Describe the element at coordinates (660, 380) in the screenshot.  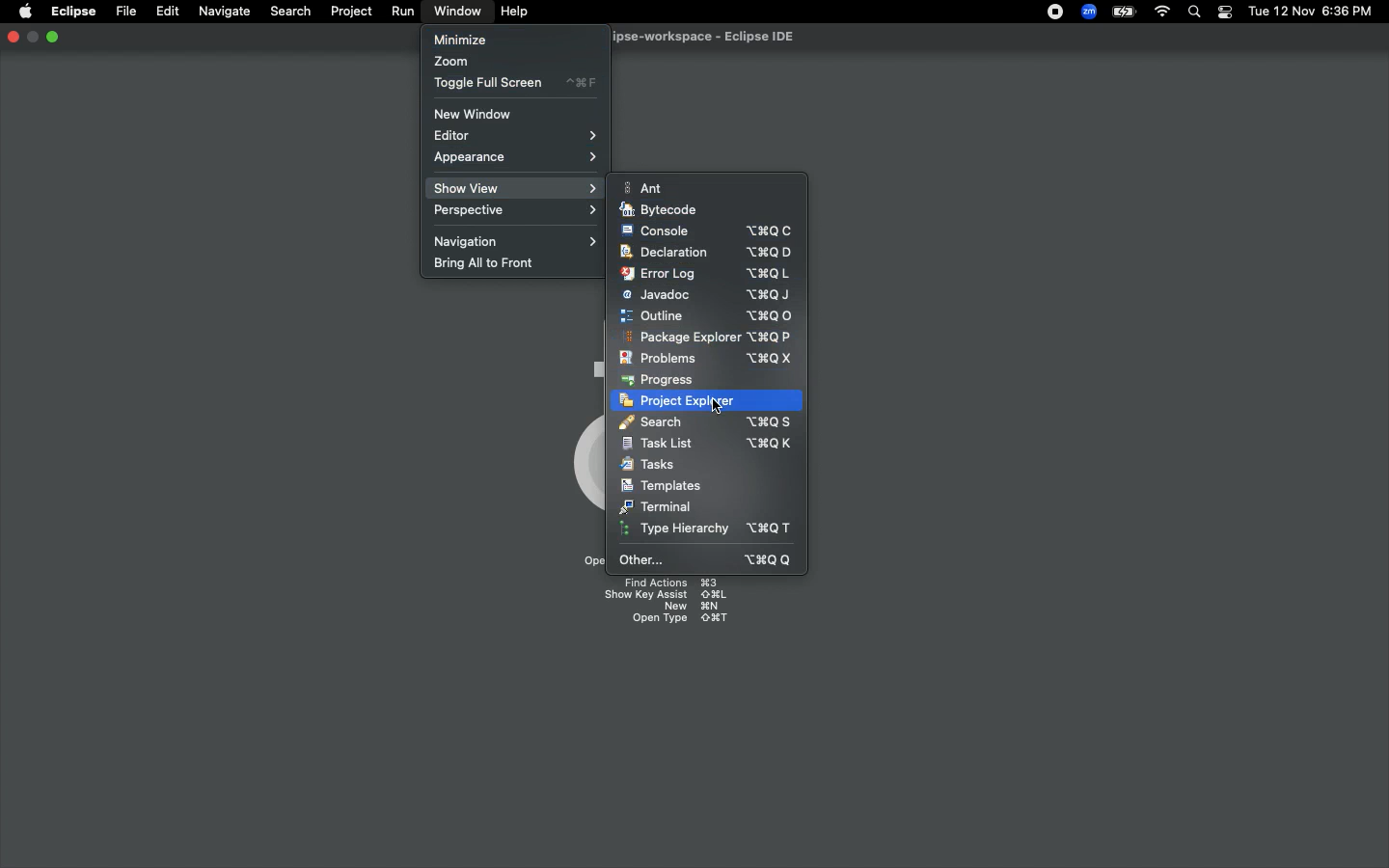
I see `Progress` at that location.